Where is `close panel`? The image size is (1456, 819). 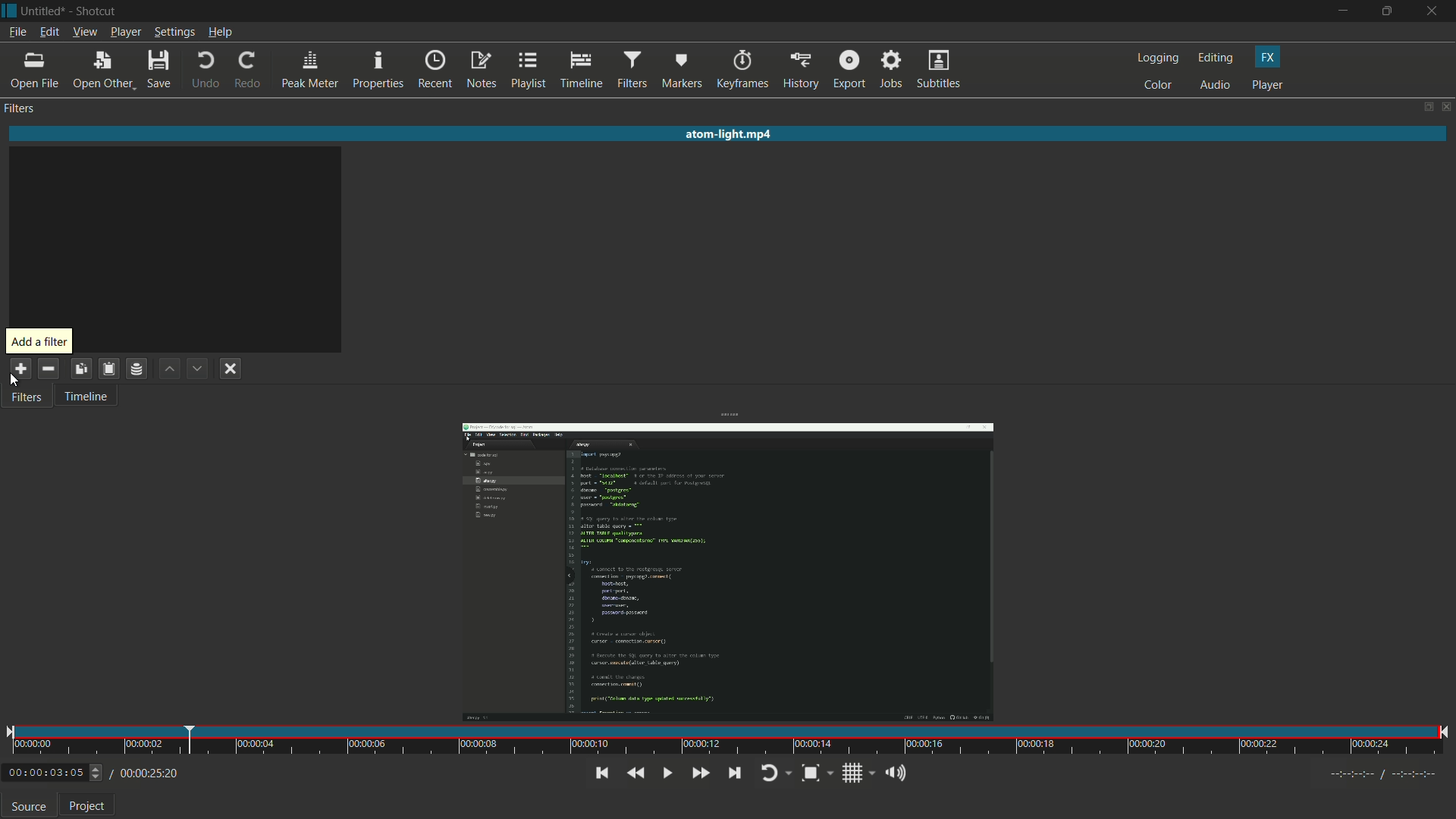 close panel is located at coordinates (1447, 106).